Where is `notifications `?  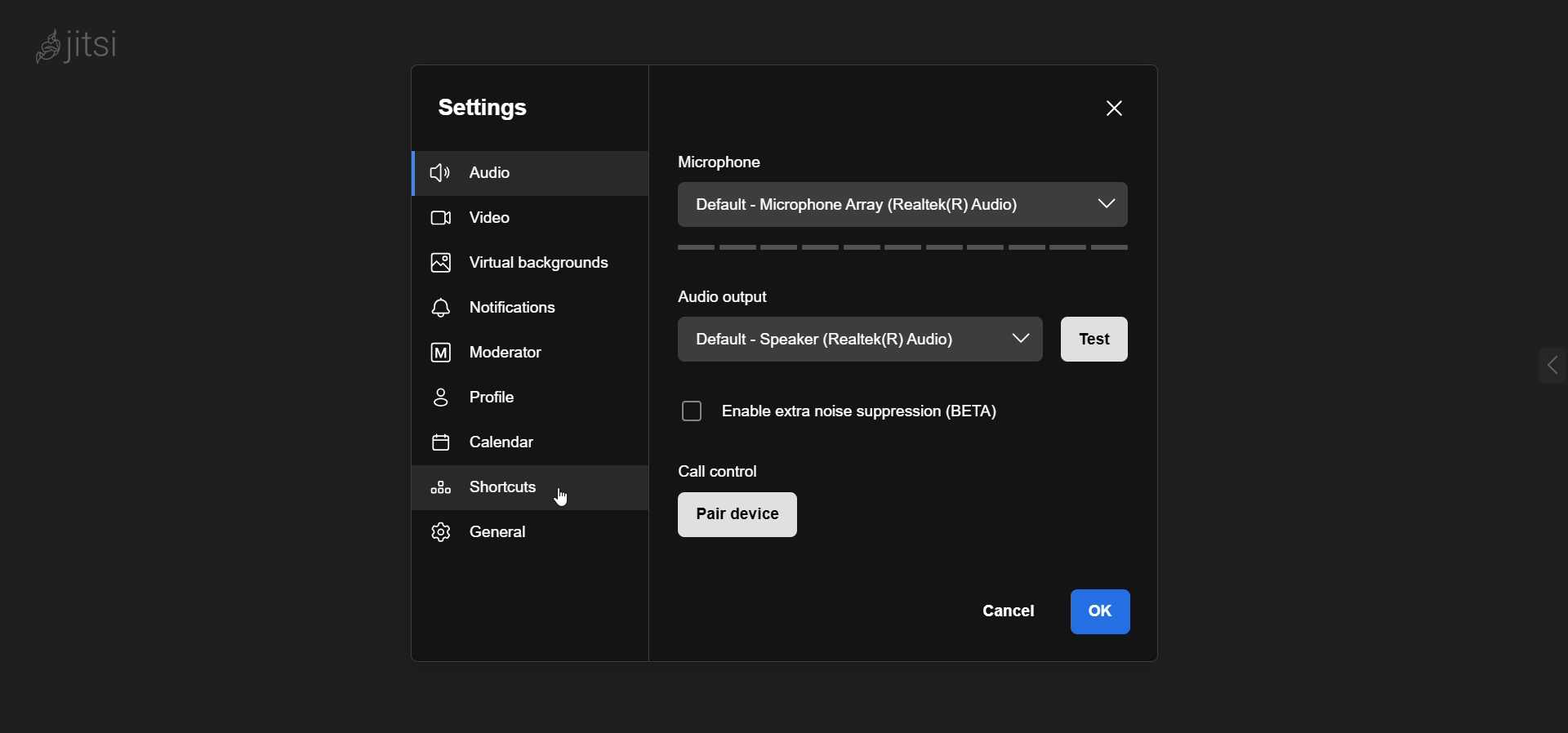 notifications  is located at coordinates (504, 309).